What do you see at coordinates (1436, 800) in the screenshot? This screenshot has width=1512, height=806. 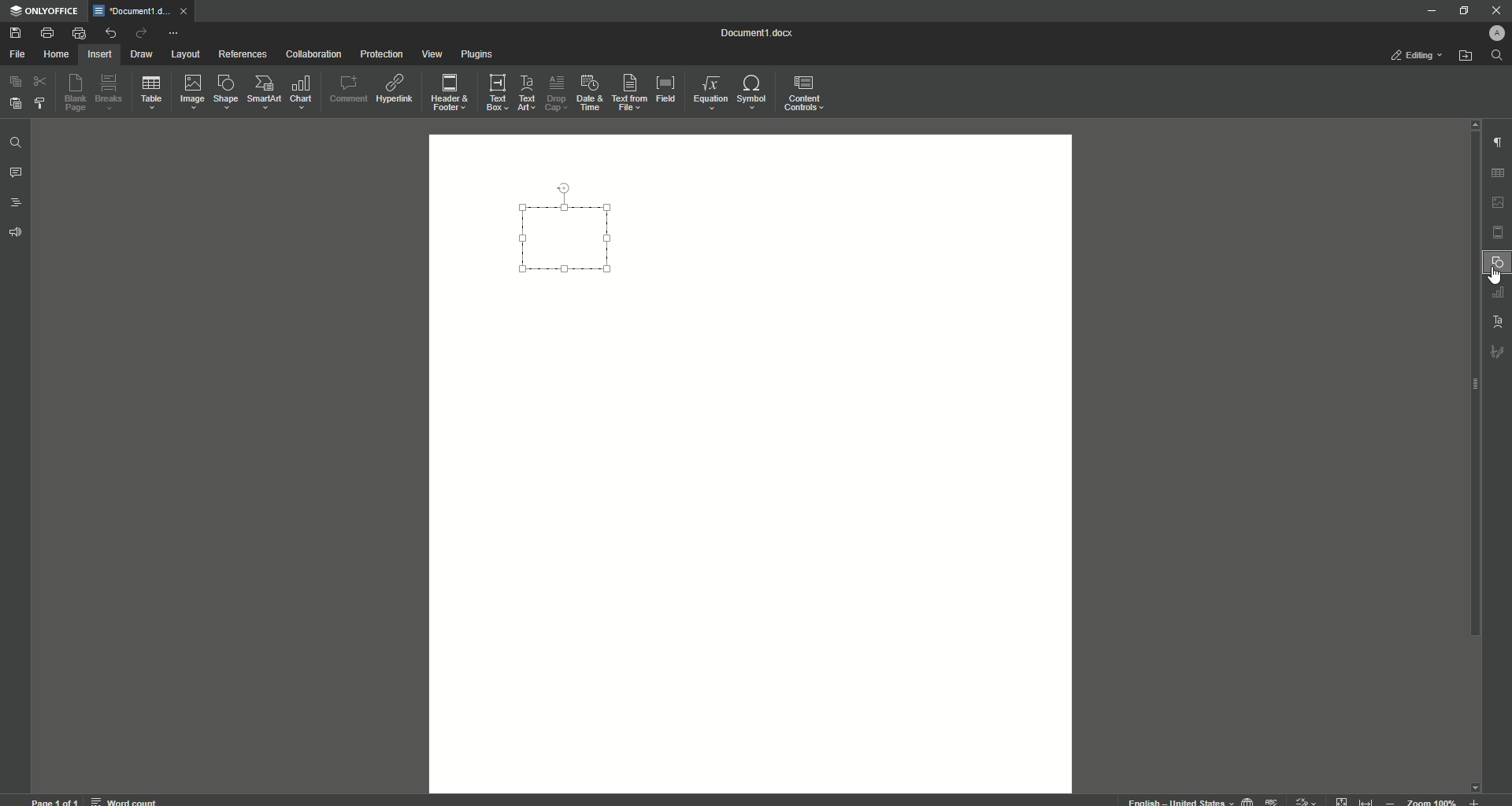 I see `zoom out or zoom in` at bounding box center [1436, 800].